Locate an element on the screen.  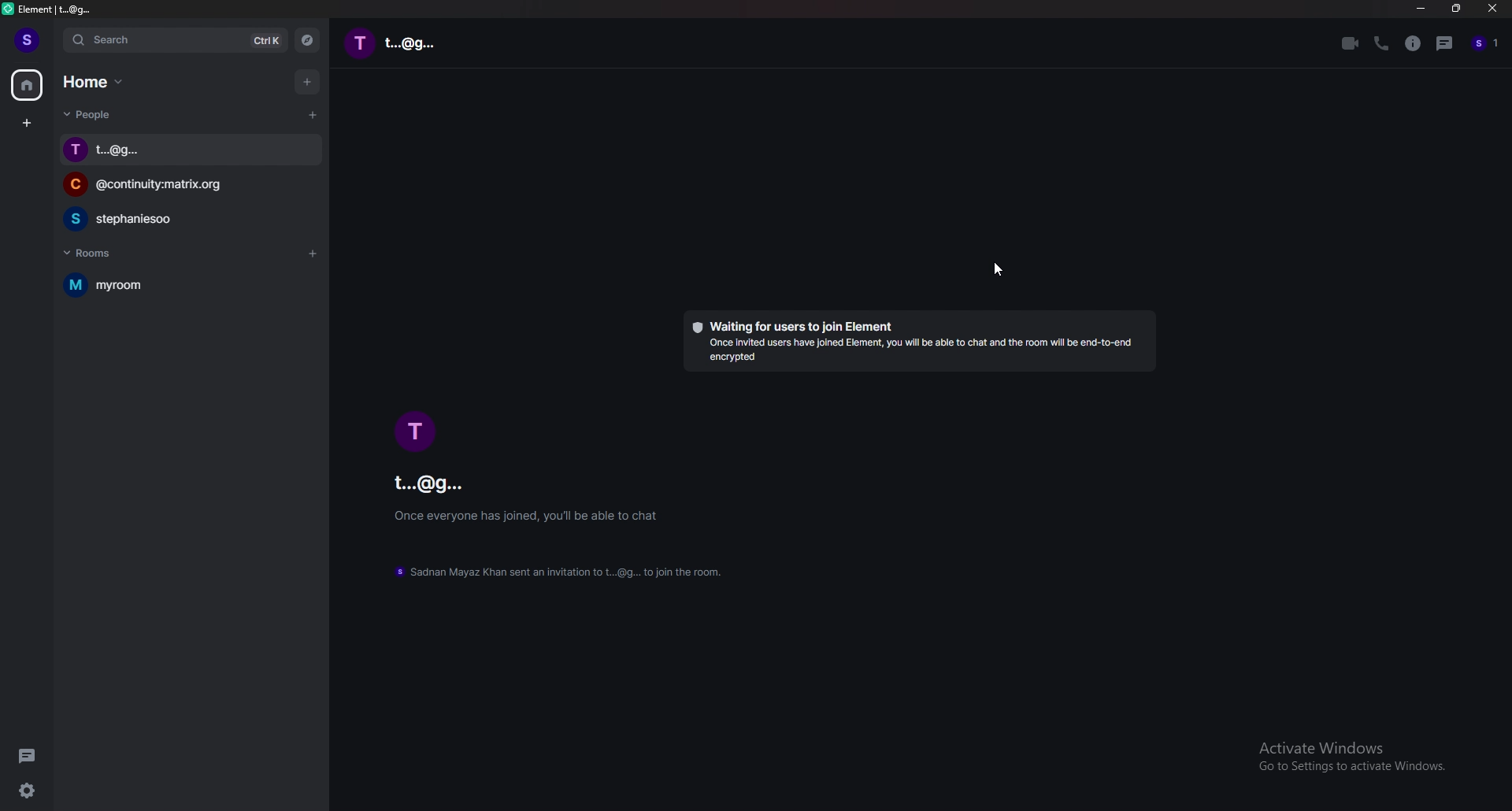
home is located at coordinates (28, 84).